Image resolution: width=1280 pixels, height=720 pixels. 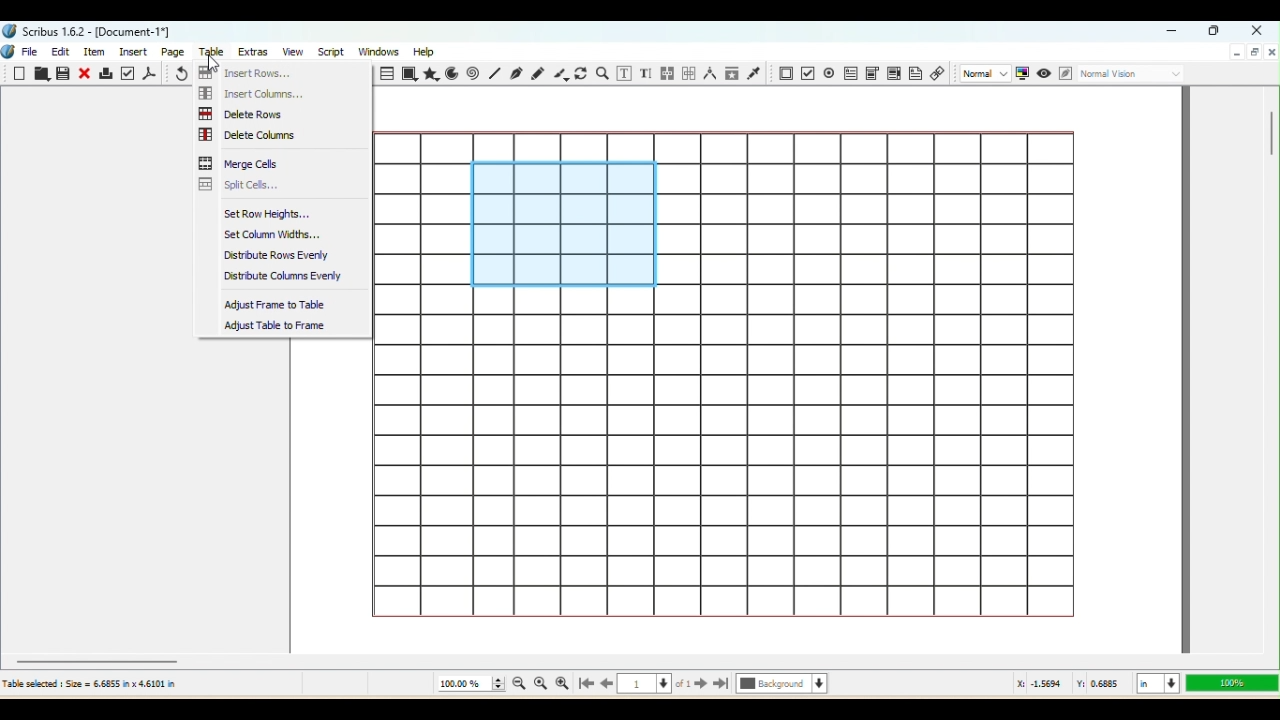 I want to click on Select the current layer, so click(x=782, y=685).